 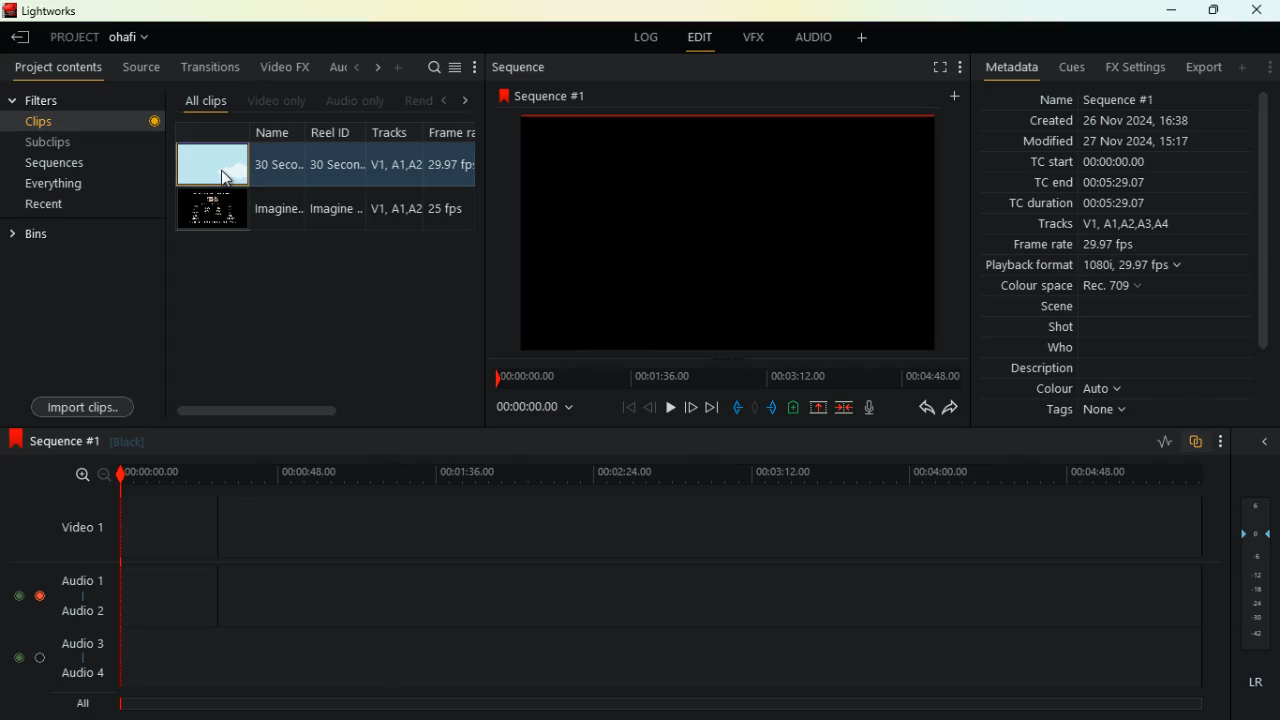 What do you see at coordinates (873, 405) in the screenshot?
I see `mic` at bounding box center [873, 405].